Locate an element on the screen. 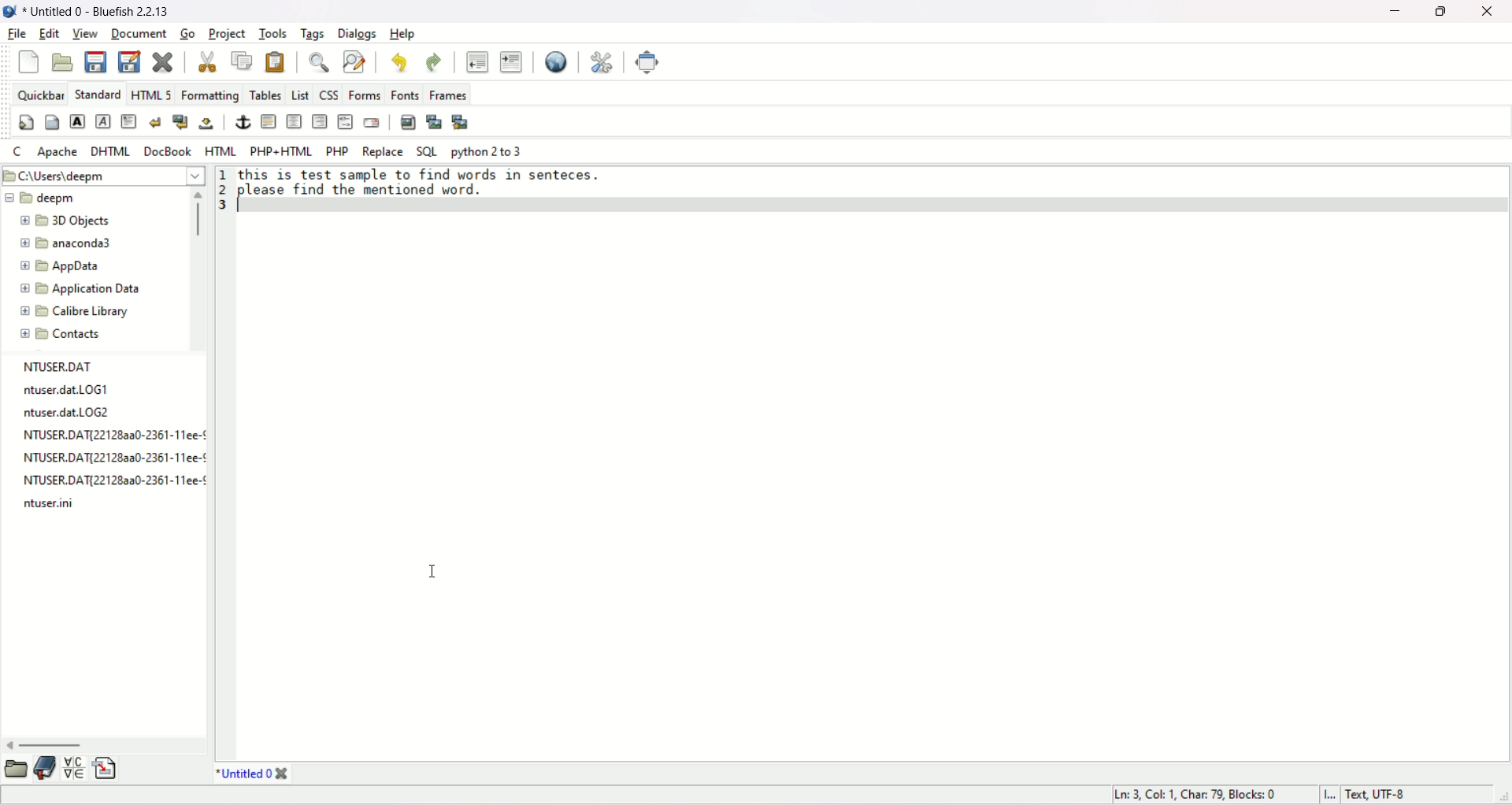  C:\users\deepm is located at coordinates (102, 175).